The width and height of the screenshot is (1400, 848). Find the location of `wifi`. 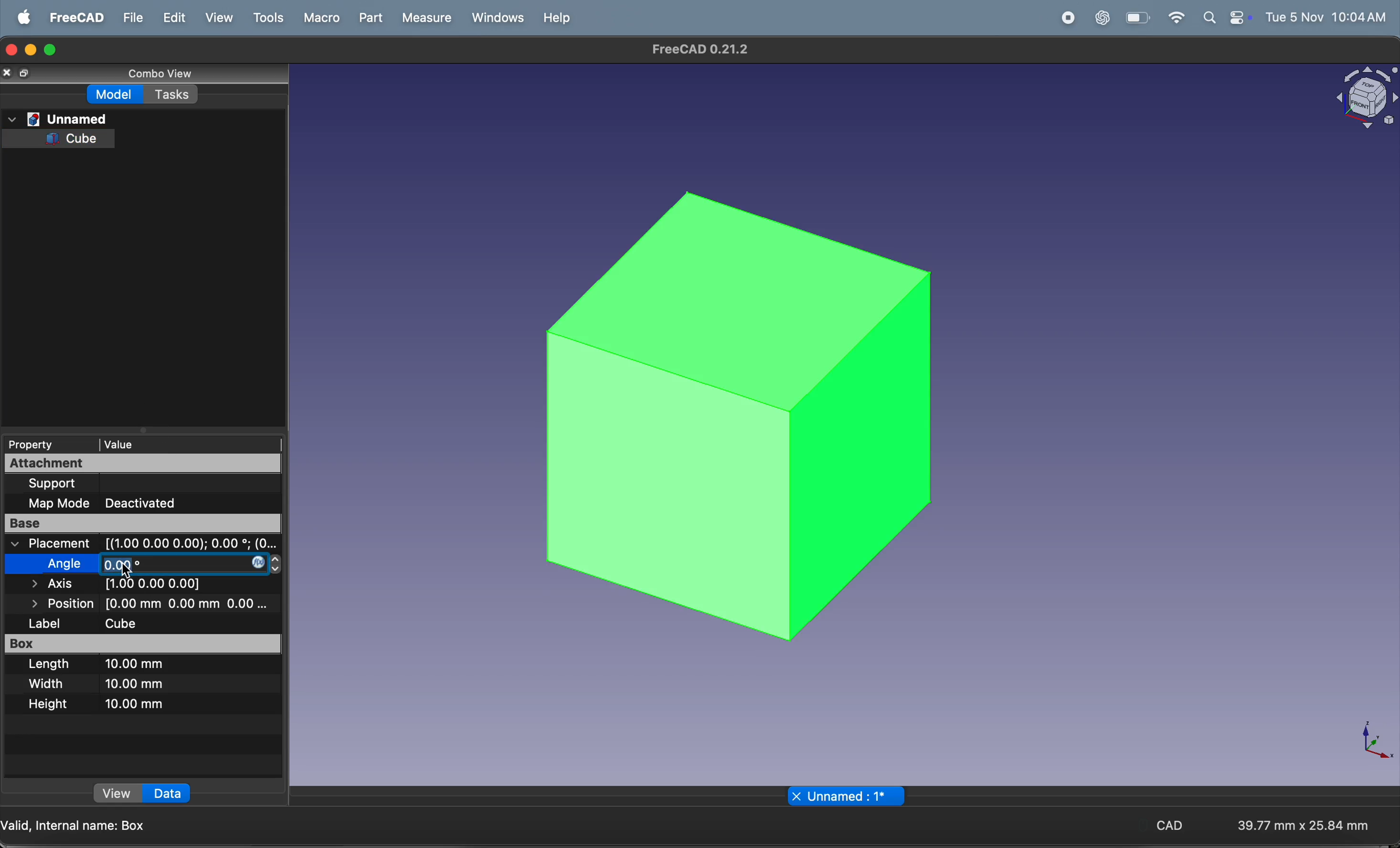

wifi is located at coordinates (1176, 17).